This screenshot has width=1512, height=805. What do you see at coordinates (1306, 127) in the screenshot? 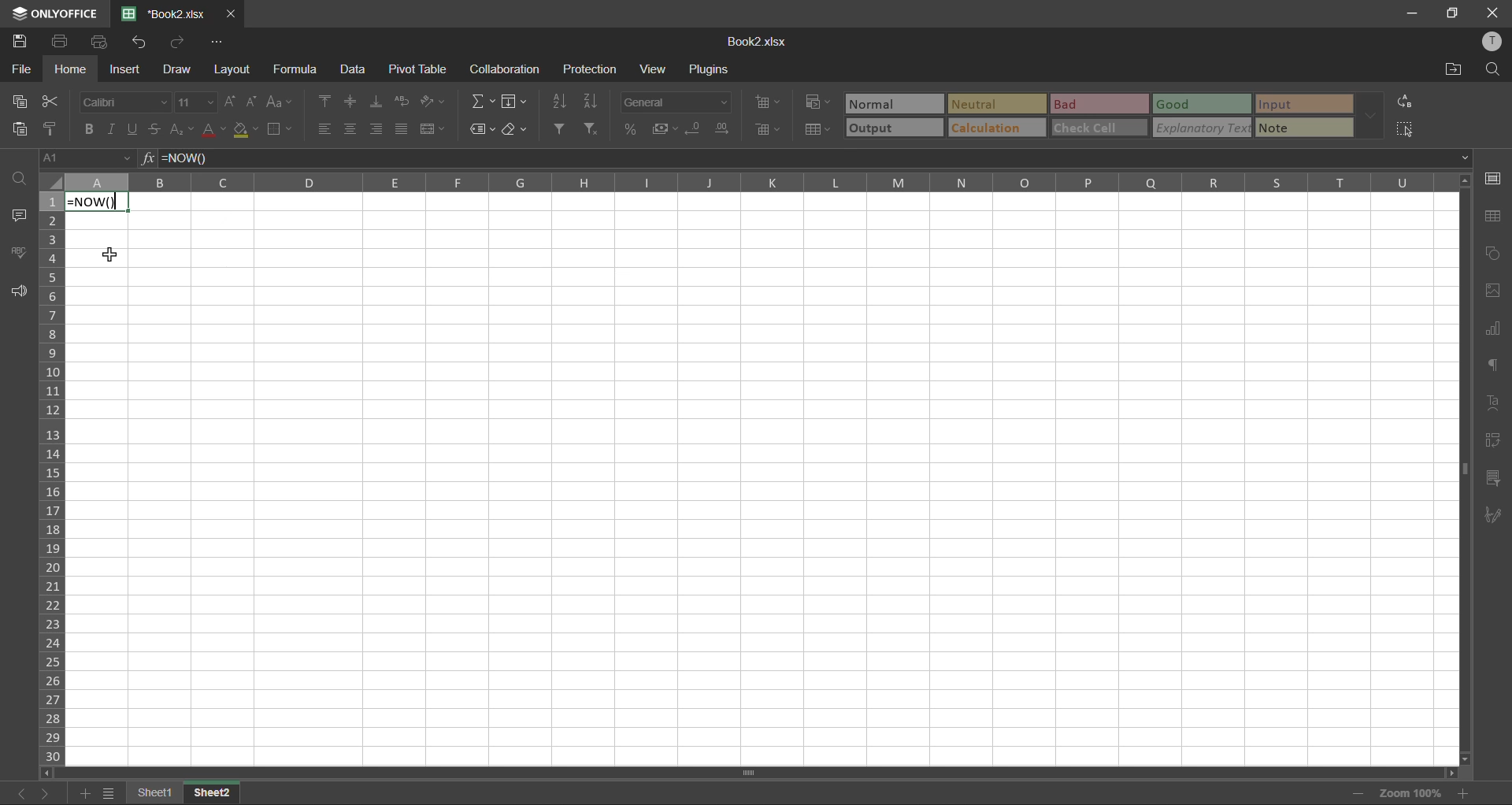
I see `note` at bounding box center [1306, 127].